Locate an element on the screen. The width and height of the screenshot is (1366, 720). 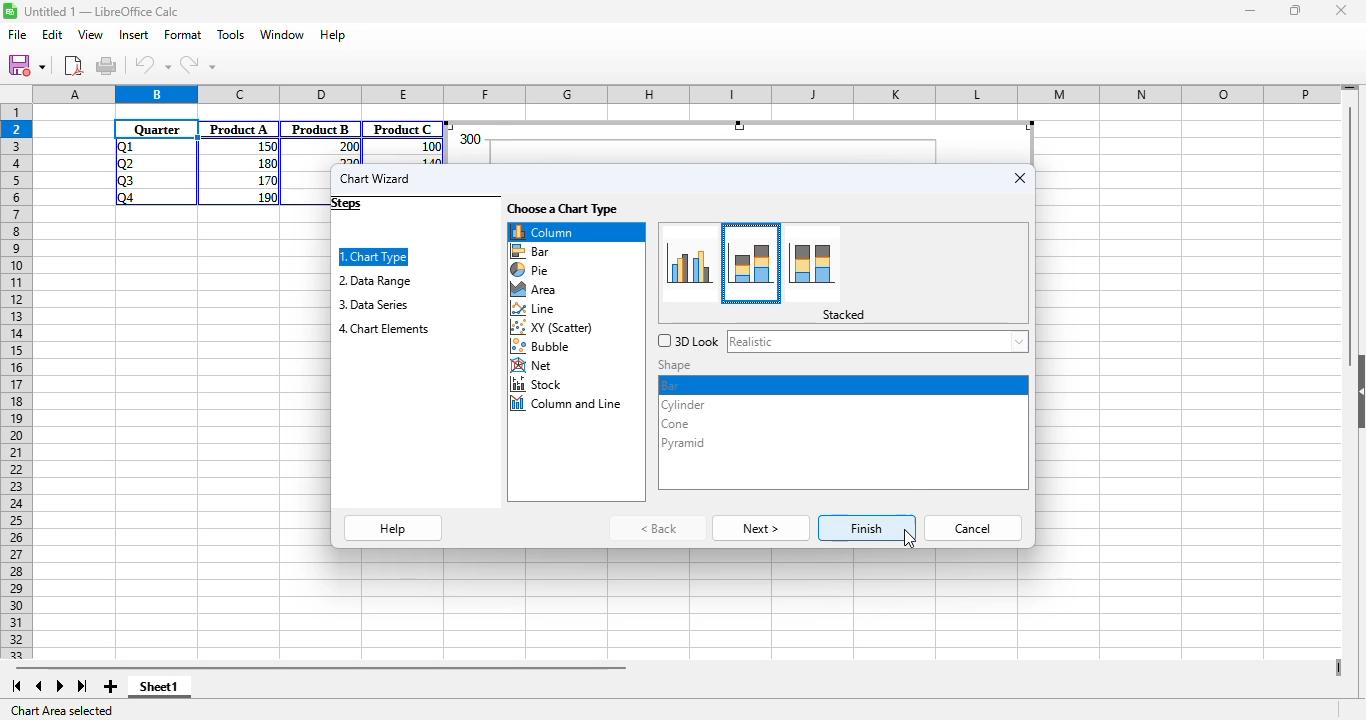
maximize is located at coordinates (1297, 11).